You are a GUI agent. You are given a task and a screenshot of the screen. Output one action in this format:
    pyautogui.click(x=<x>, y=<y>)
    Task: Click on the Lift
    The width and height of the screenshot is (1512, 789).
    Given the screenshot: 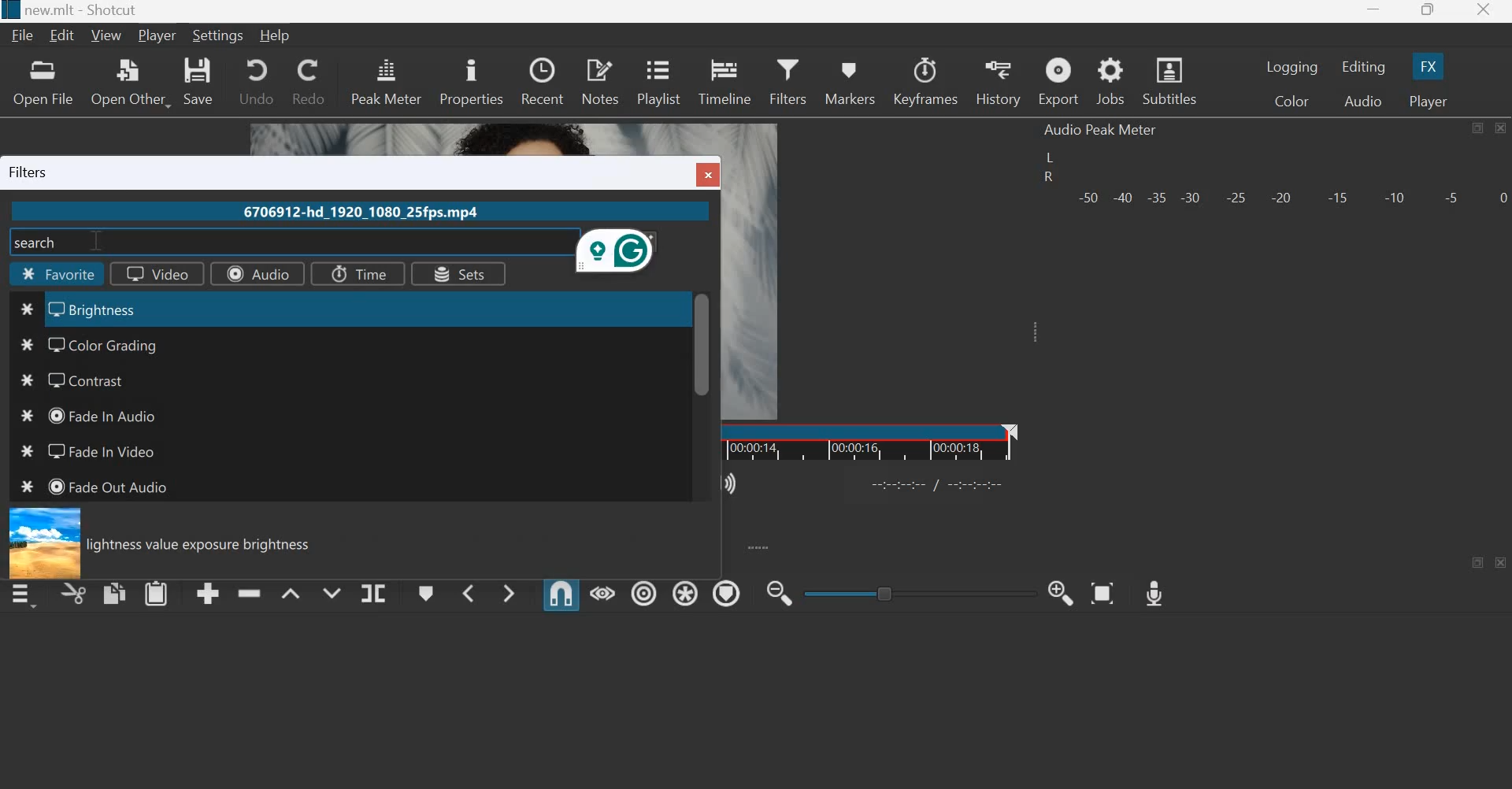 What is the action you would take?
    pyautogui.click(x=291, y=593)
    